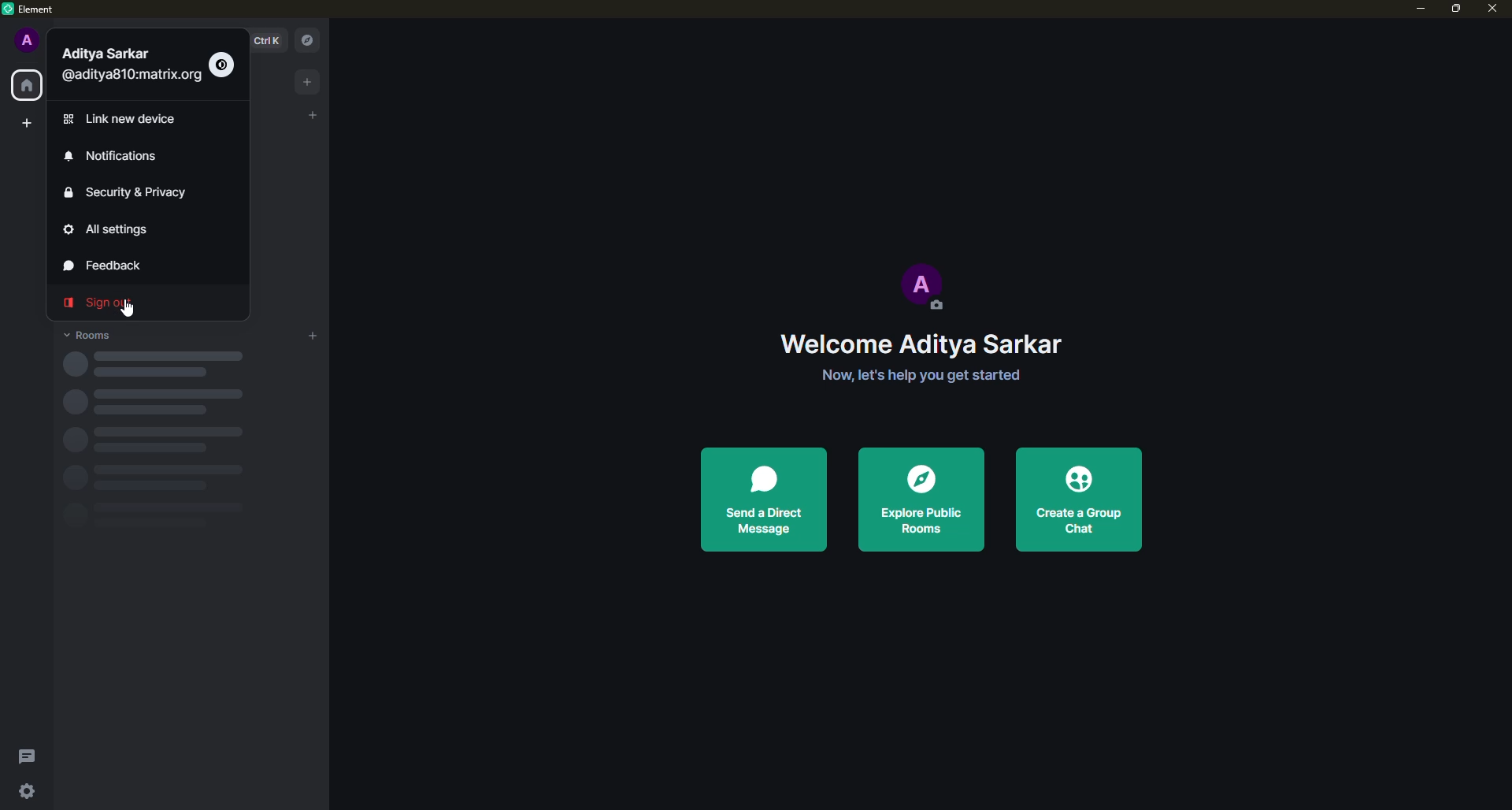  I want to click on create a space, so click(29, 124).